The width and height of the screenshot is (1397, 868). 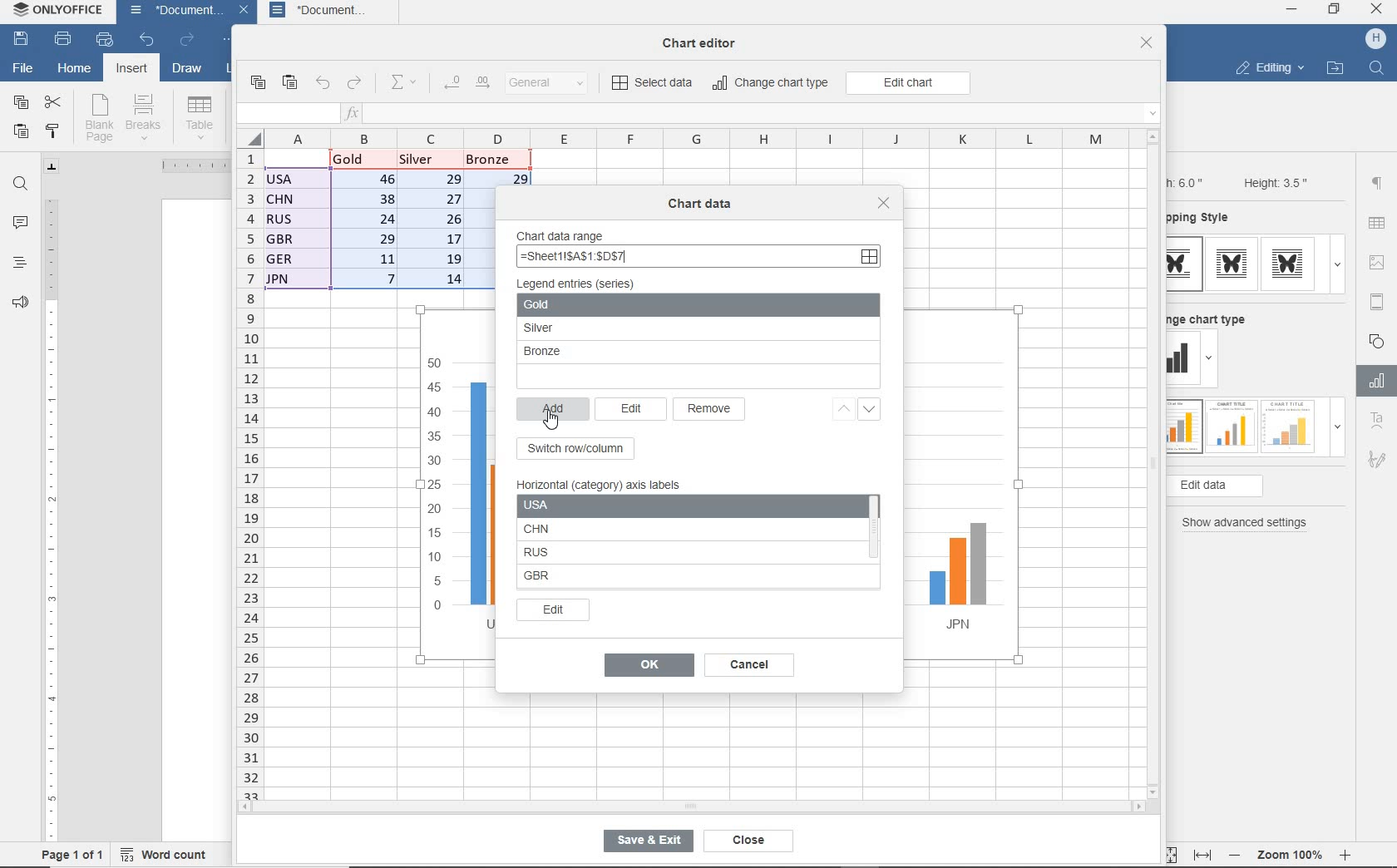 I want to click on rows, so click(x=248, y=473).